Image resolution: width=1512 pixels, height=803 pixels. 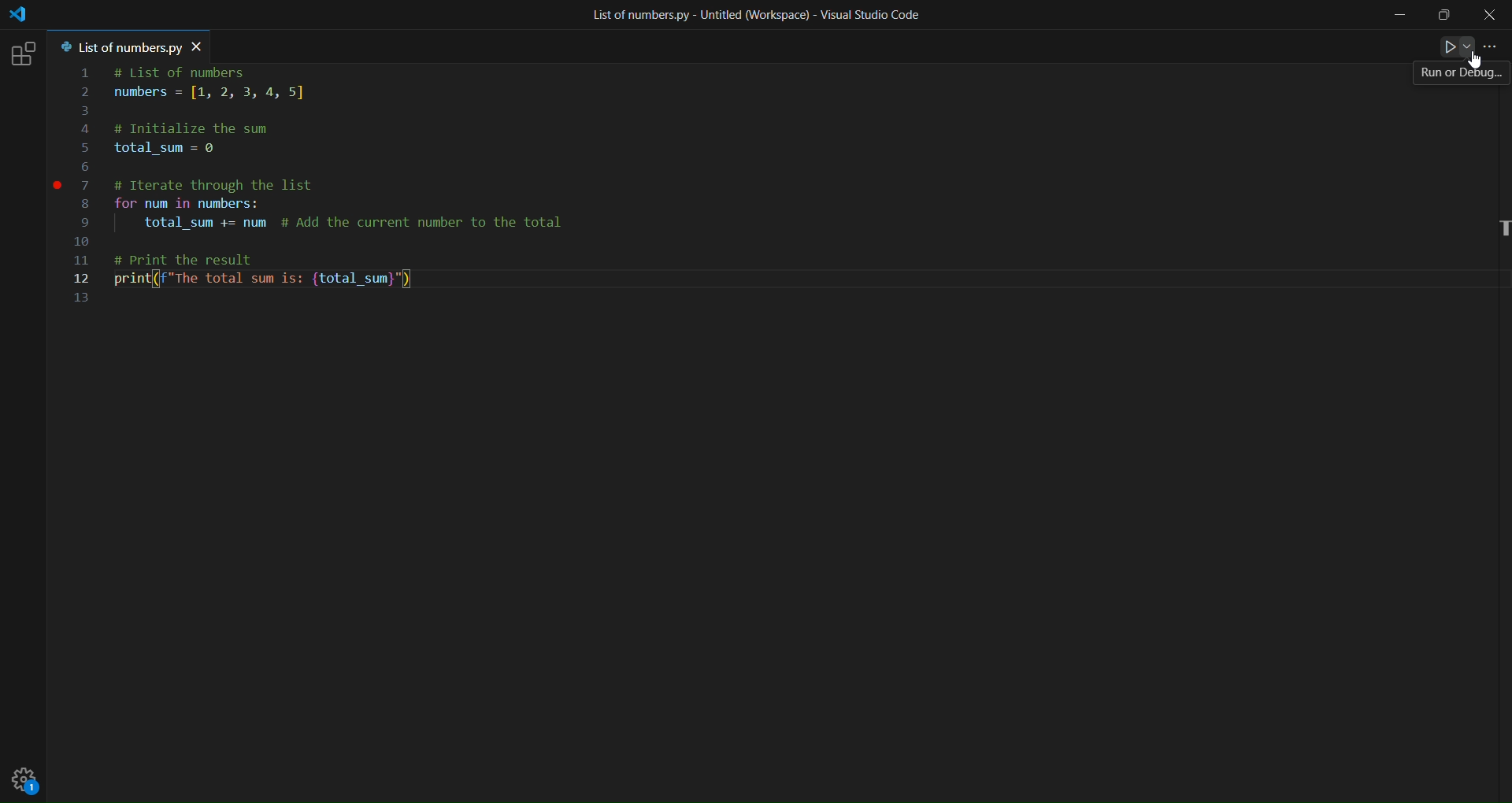 What do you see at coordinates (50, 183) in the screenshot?
I see `inserted breakpoint` at bounding box center [50, 183].